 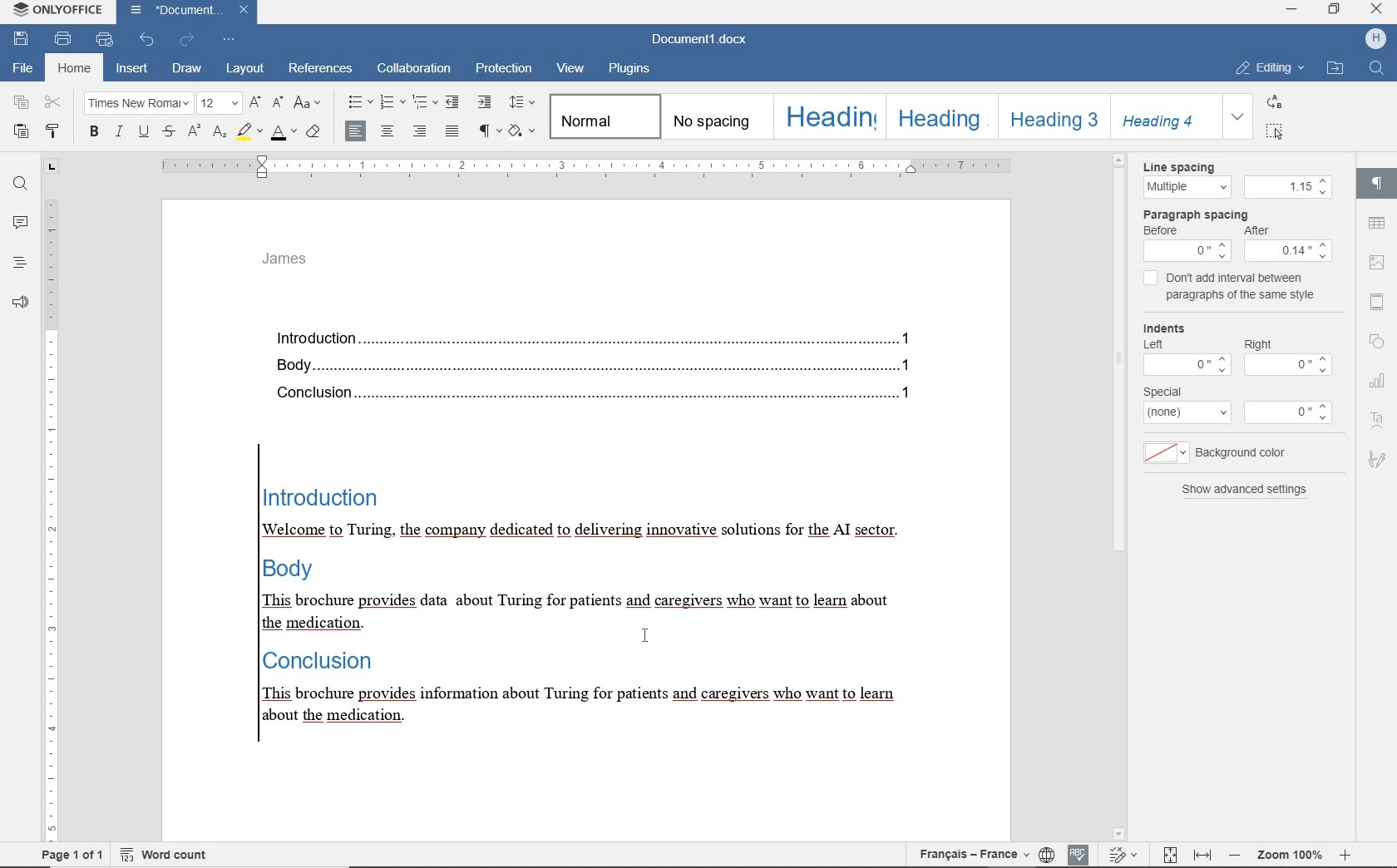 I want to click on chart, so click(x=1378, y=383).